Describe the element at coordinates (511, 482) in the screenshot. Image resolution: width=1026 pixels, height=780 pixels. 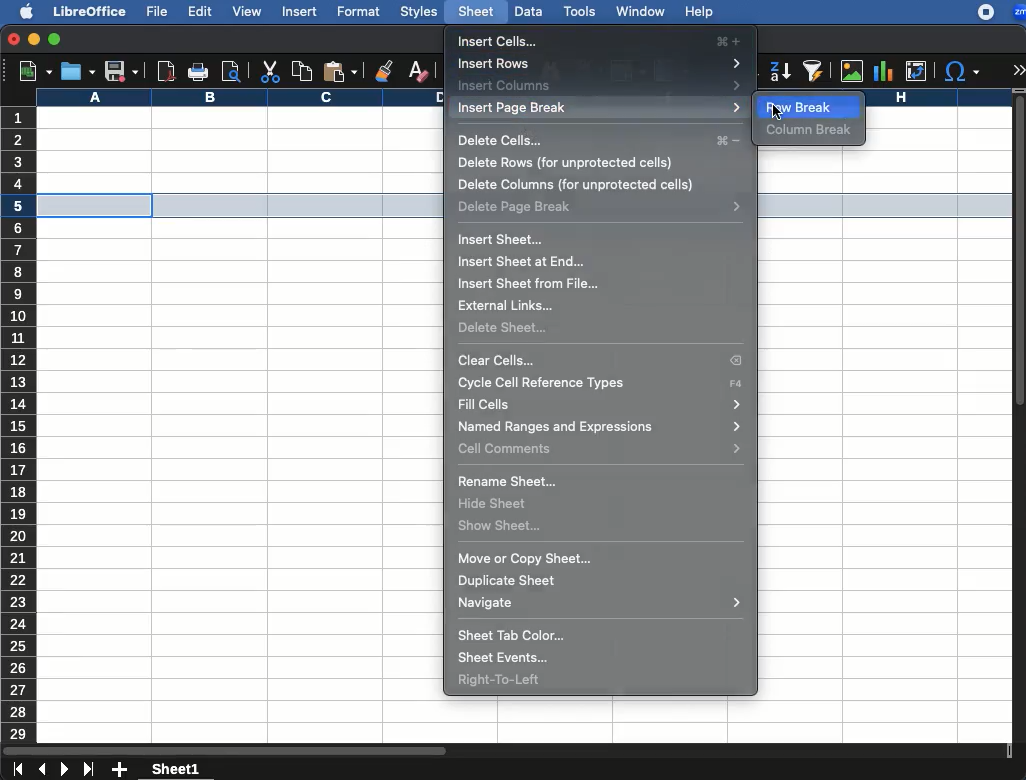
I see `rename sheet` at that location.